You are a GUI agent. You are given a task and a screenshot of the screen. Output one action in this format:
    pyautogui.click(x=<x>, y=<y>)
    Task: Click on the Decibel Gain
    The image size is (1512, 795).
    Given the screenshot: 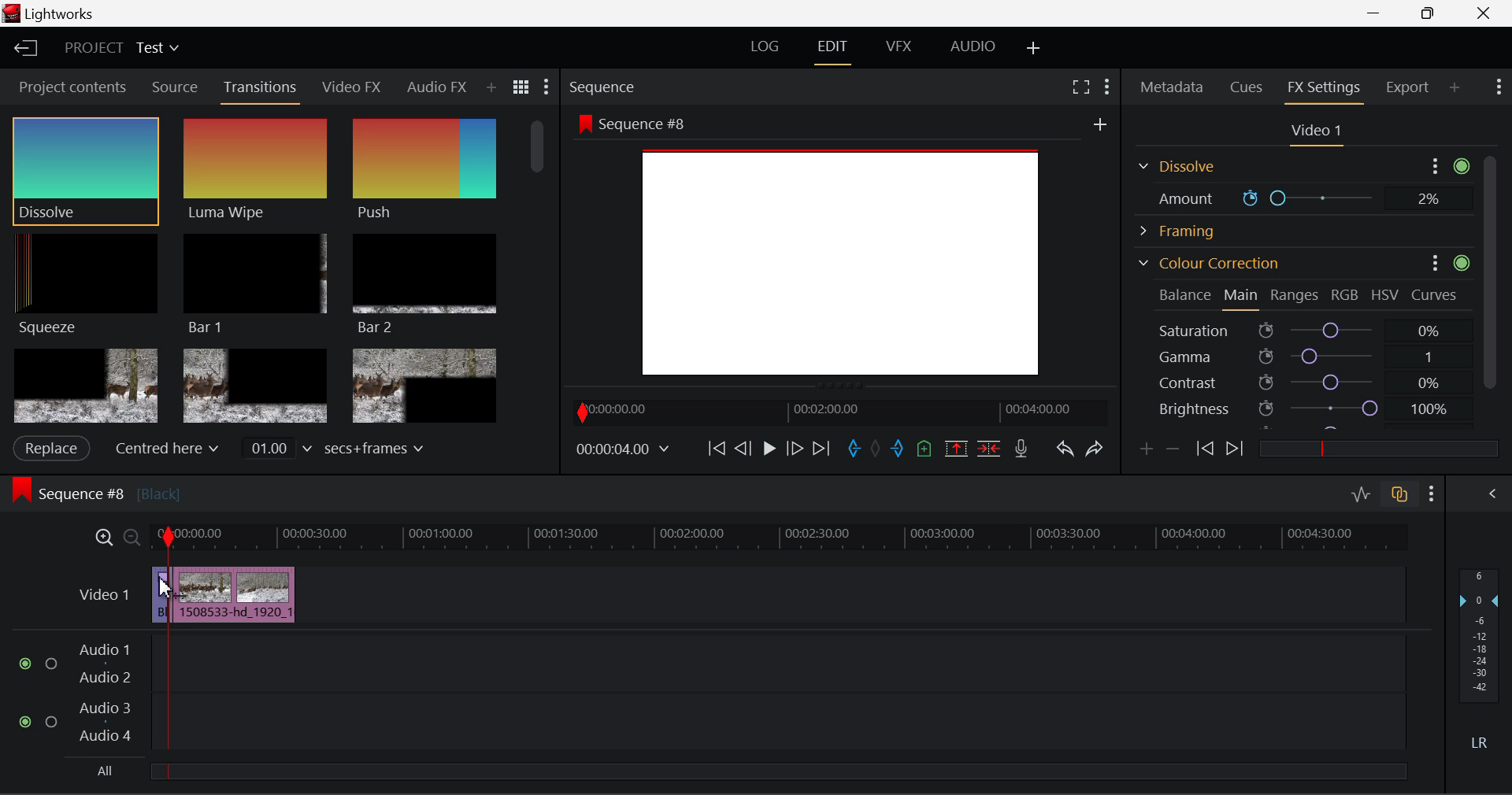 What is the action you would take?
    pyautogui.click(x=1478, y=663)
    